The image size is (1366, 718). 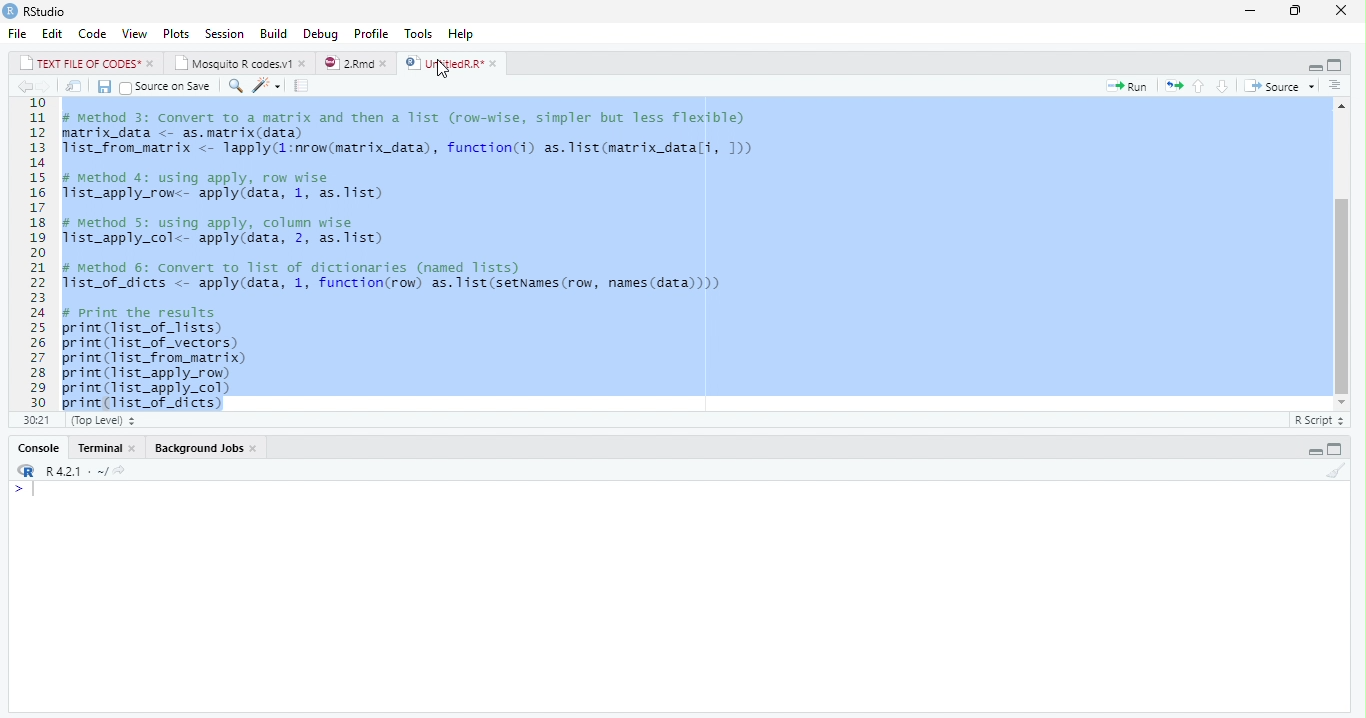 I want to click on Console, so click(x=39, y=447).